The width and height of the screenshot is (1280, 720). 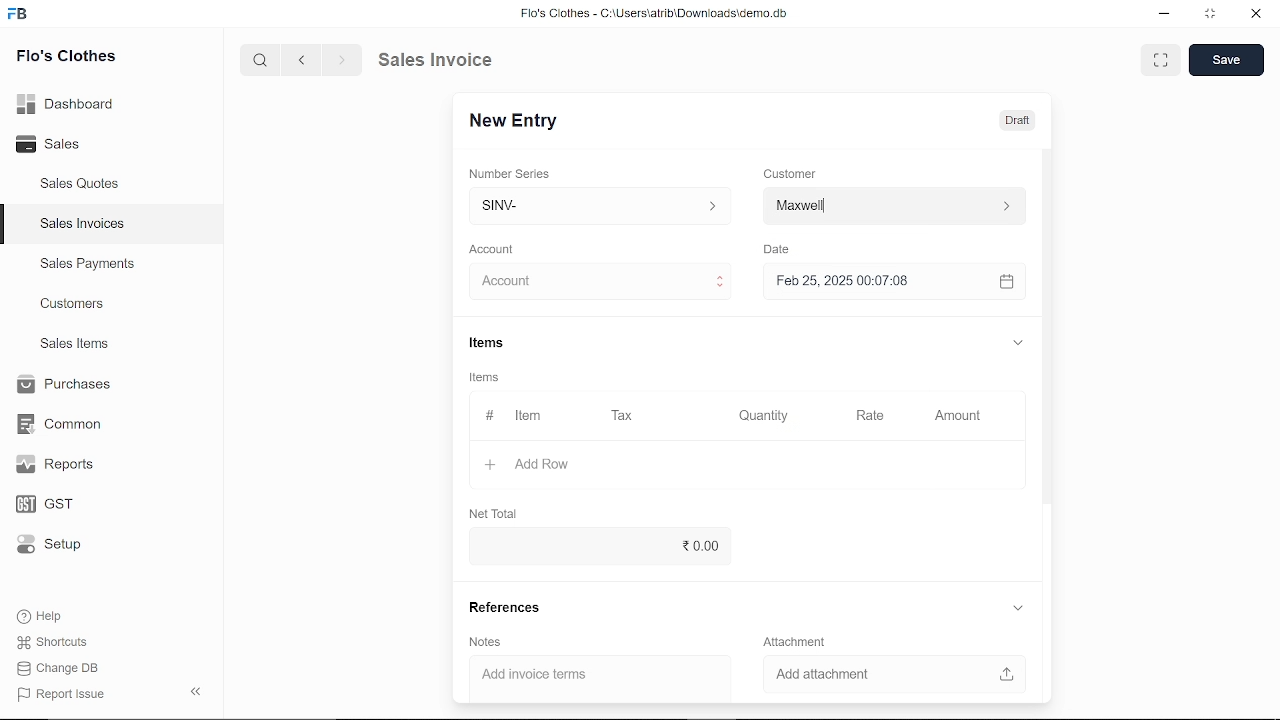 What do you see at coordinates (623, 417) in the screenshot?
I see `Tax` at bounding box center [623, 417].